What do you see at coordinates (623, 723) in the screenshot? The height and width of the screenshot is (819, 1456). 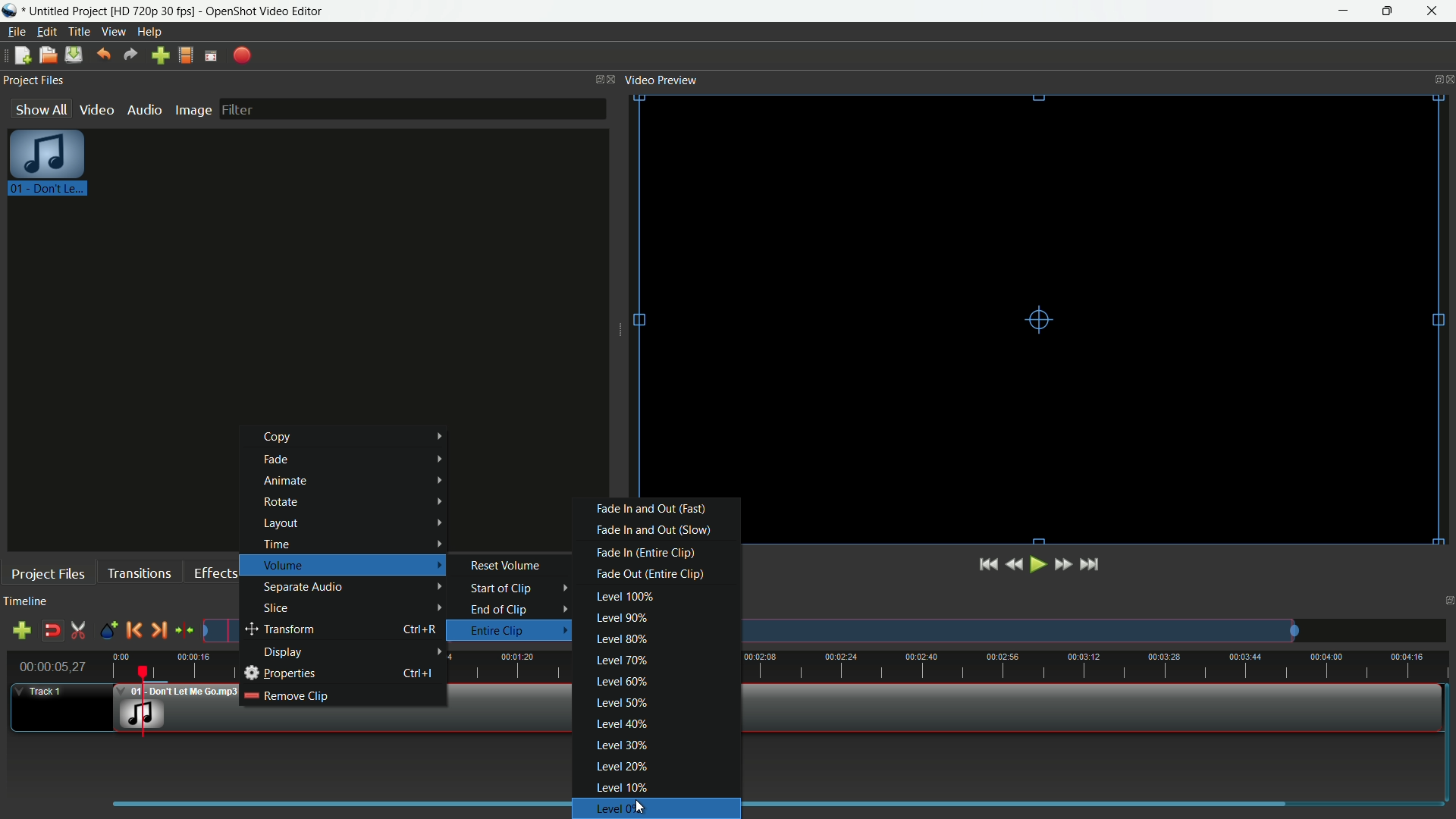 I see `level 40%` at bounding box center [623, 723].